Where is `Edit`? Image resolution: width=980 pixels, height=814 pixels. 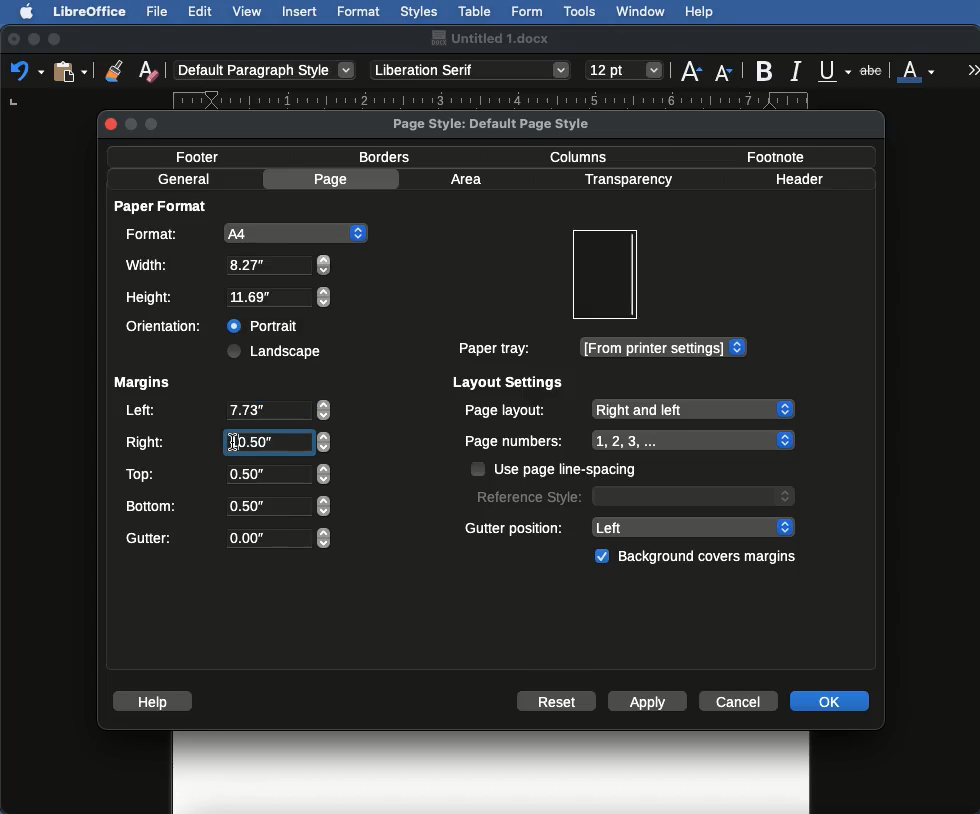
Edit is located at coordinates (200, 11).